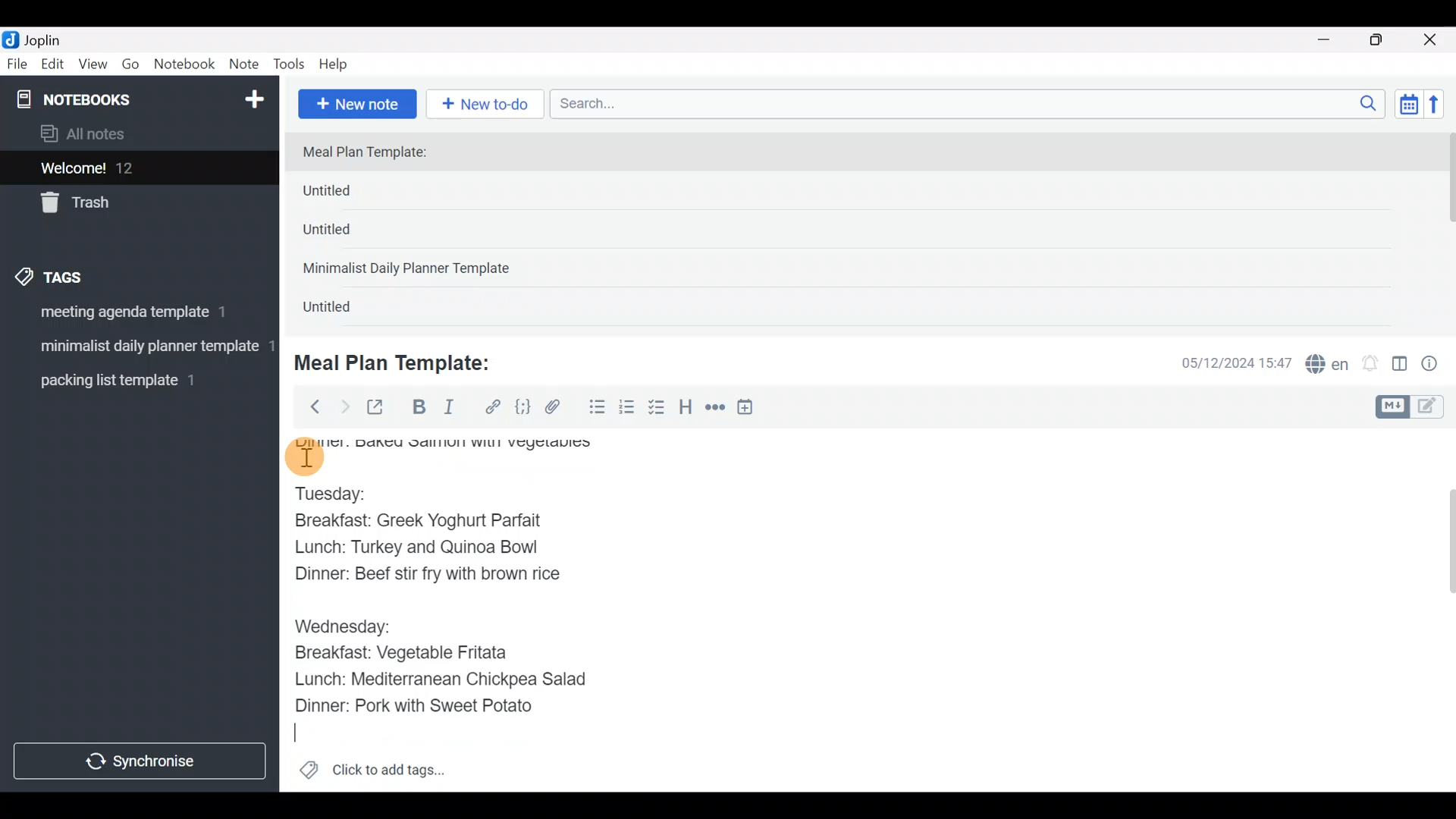 The image size is (1456, 819). Describe the element at coordinates (93, 67) in the screenshot. I see `View` at that location.